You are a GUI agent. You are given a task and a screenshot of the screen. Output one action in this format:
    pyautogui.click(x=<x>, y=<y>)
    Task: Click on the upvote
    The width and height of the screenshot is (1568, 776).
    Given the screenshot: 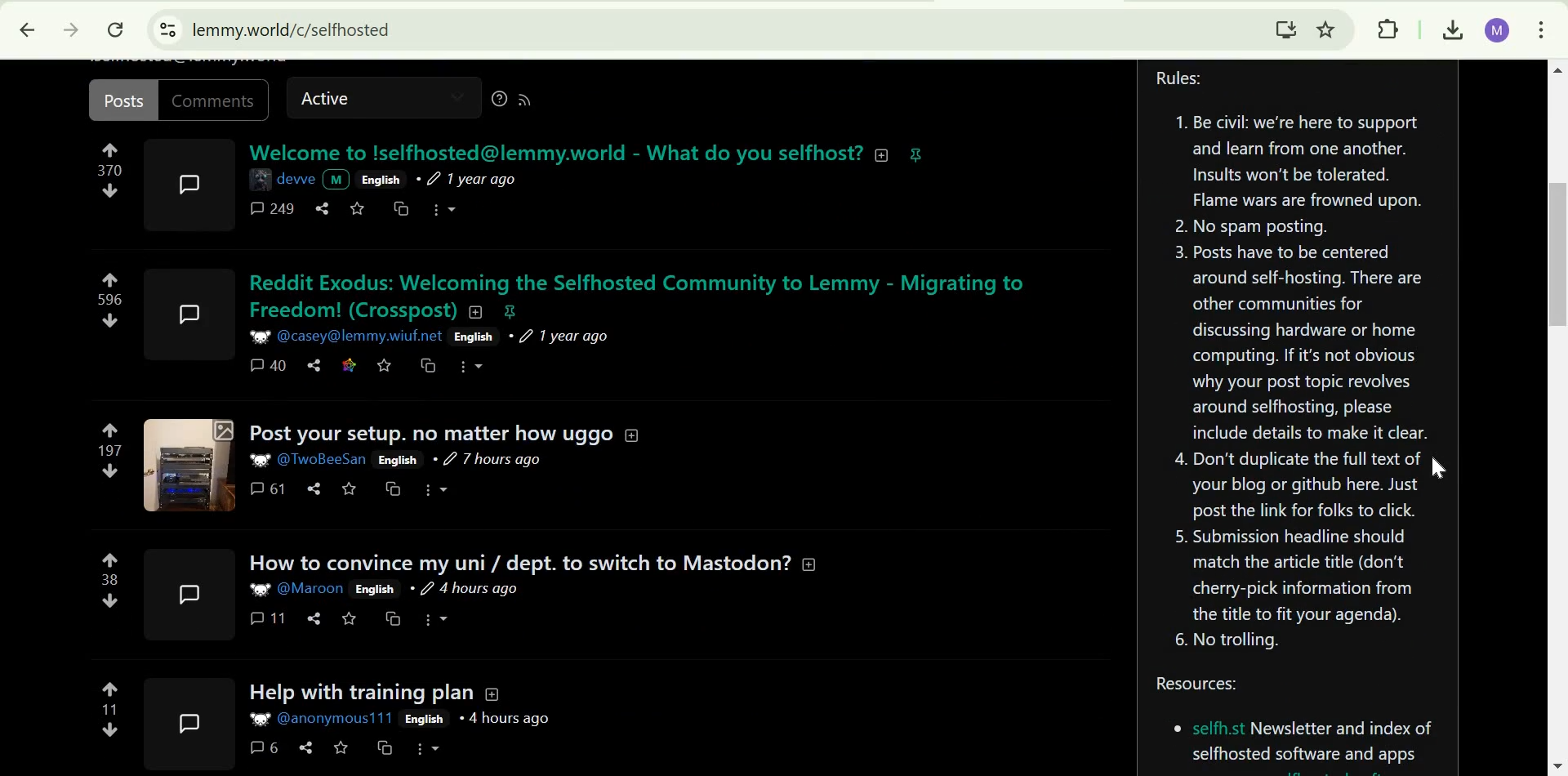 What is the action you would take?
    pyautogui.click(x=109, y=279)
    